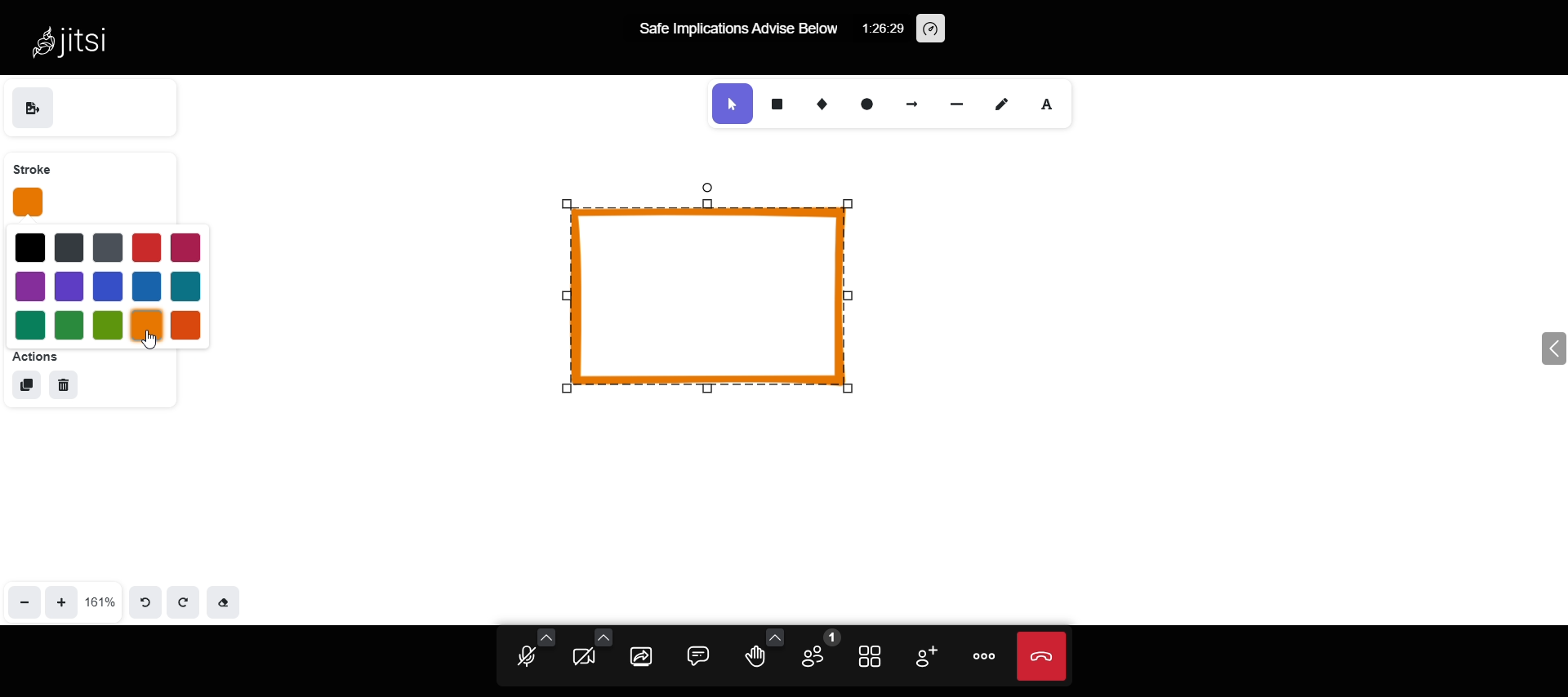 The width and height of the screenshot is (1568, 697). Describe the element at coordinates (880, 31) in the screenshot. I see `1:26:29` at that location.